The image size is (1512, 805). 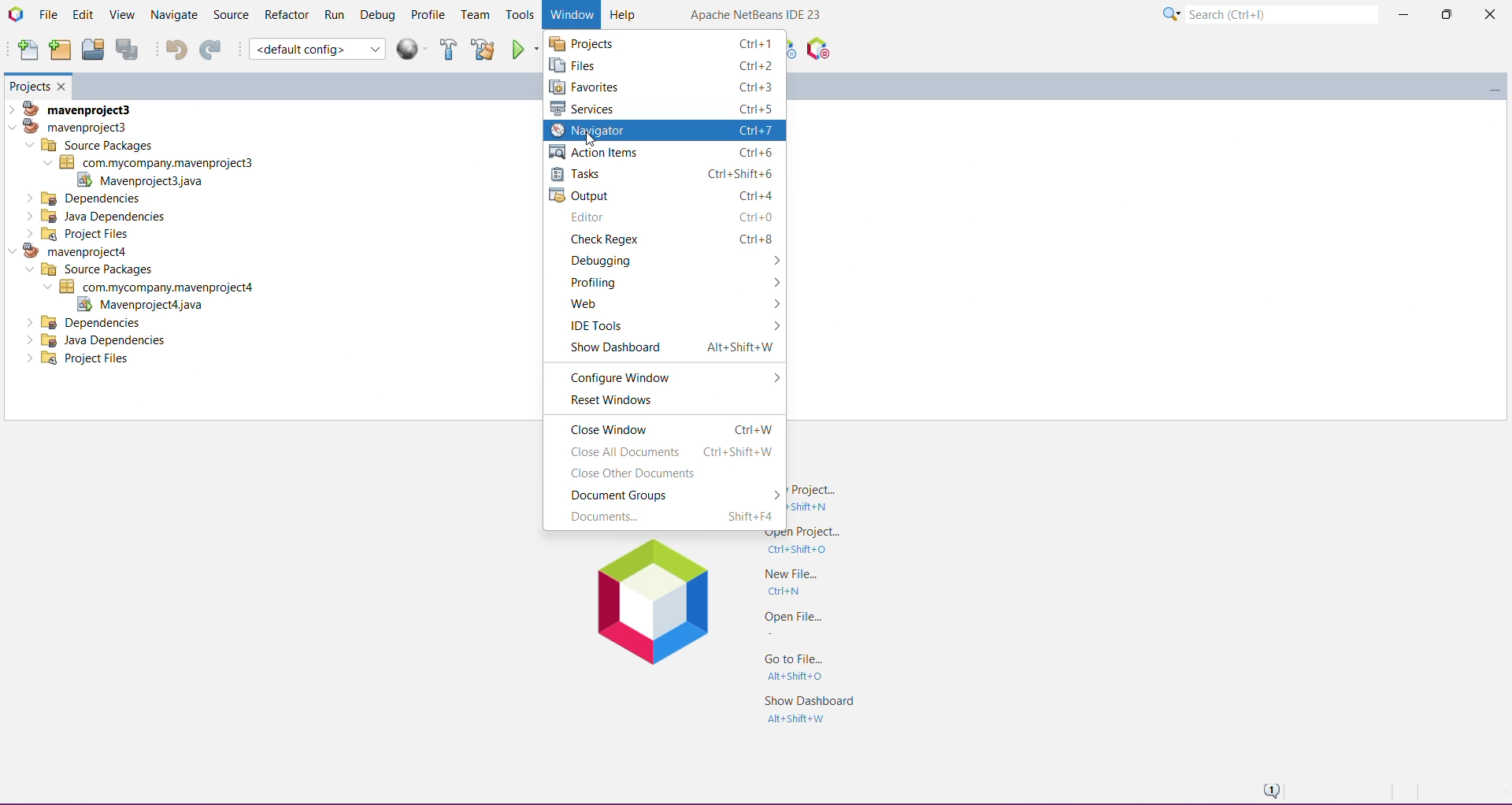 I want to click on Close Window, so click(x=64, y=86).